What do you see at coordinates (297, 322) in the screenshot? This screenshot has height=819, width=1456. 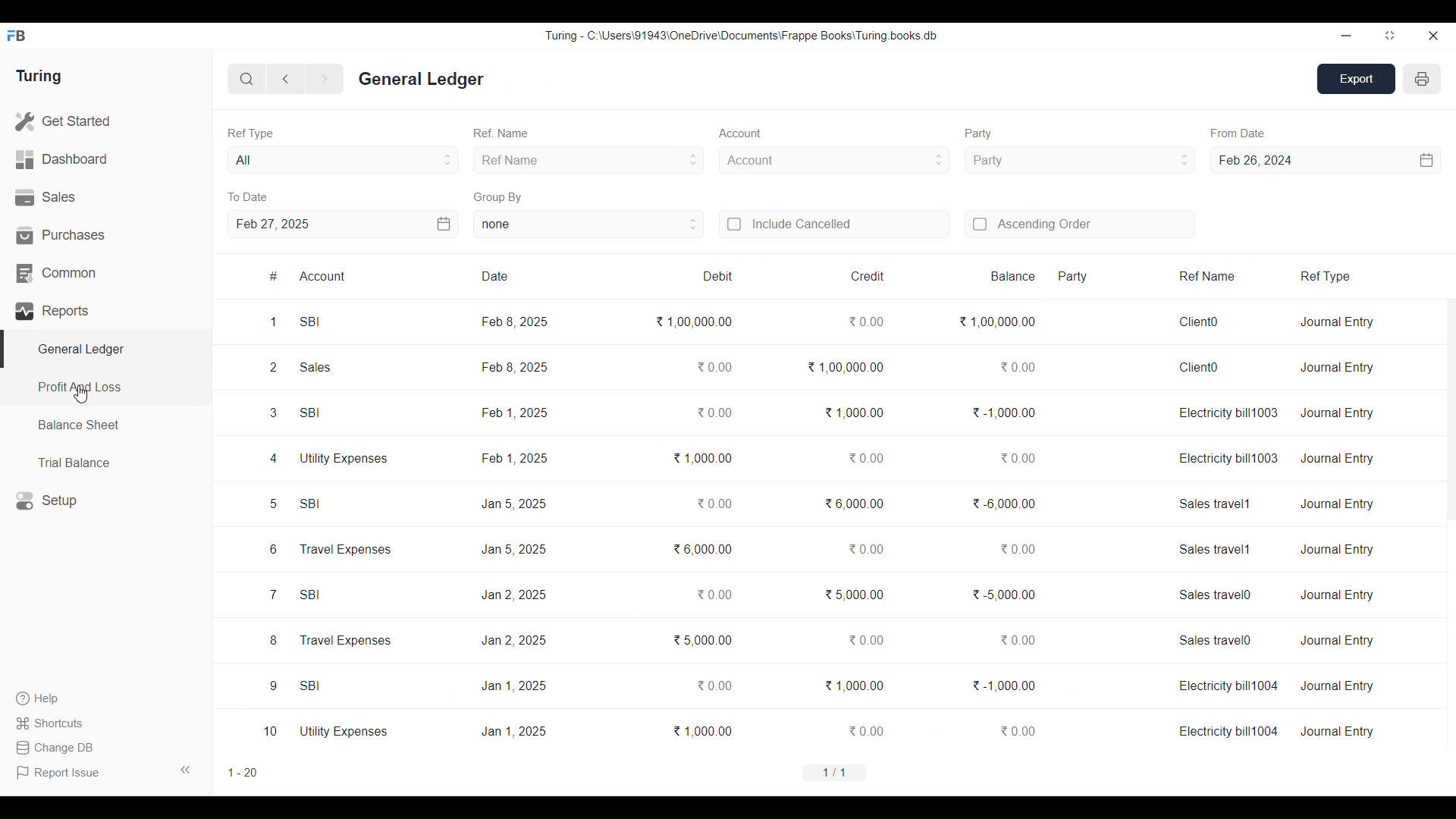 I see `1 SBI` at bounding box center [297, 322].